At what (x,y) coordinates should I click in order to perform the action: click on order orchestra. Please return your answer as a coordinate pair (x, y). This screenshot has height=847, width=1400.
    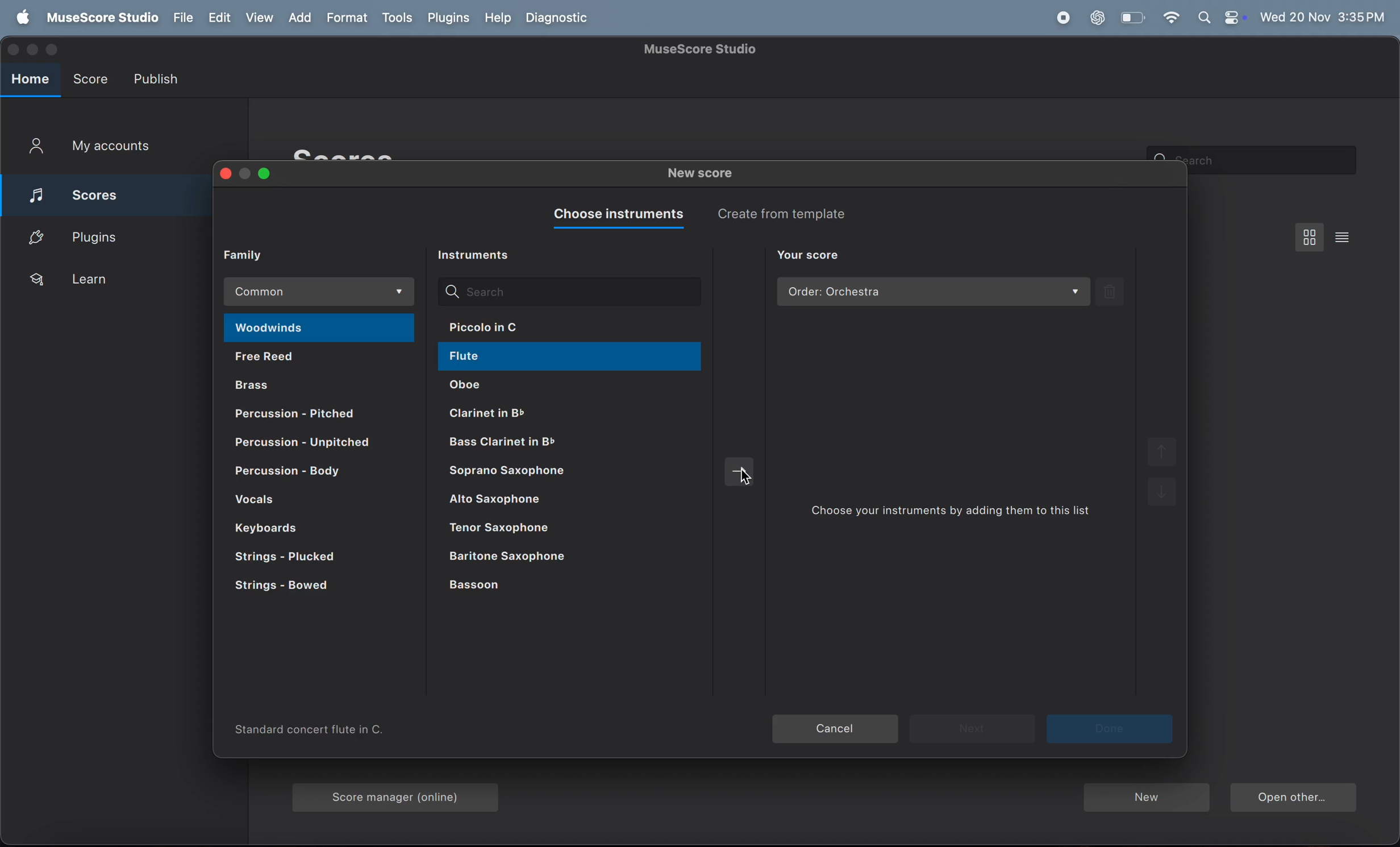
    Looking at the image, I should click on (934, 292).